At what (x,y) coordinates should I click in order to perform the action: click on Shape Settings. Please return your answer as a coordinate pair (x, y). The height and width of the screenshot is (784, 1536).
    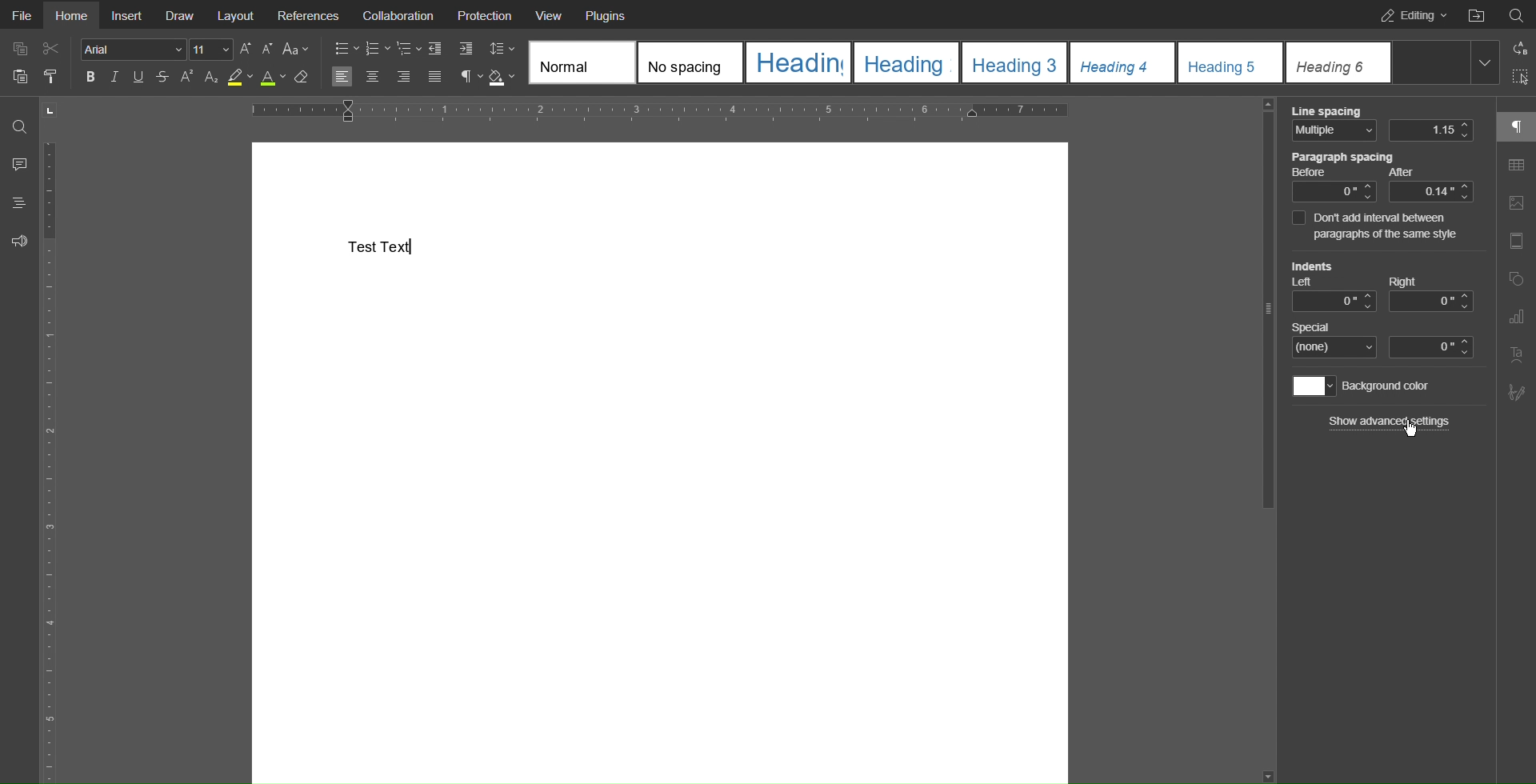
    Looking at the image, I should click on (1516, 282).